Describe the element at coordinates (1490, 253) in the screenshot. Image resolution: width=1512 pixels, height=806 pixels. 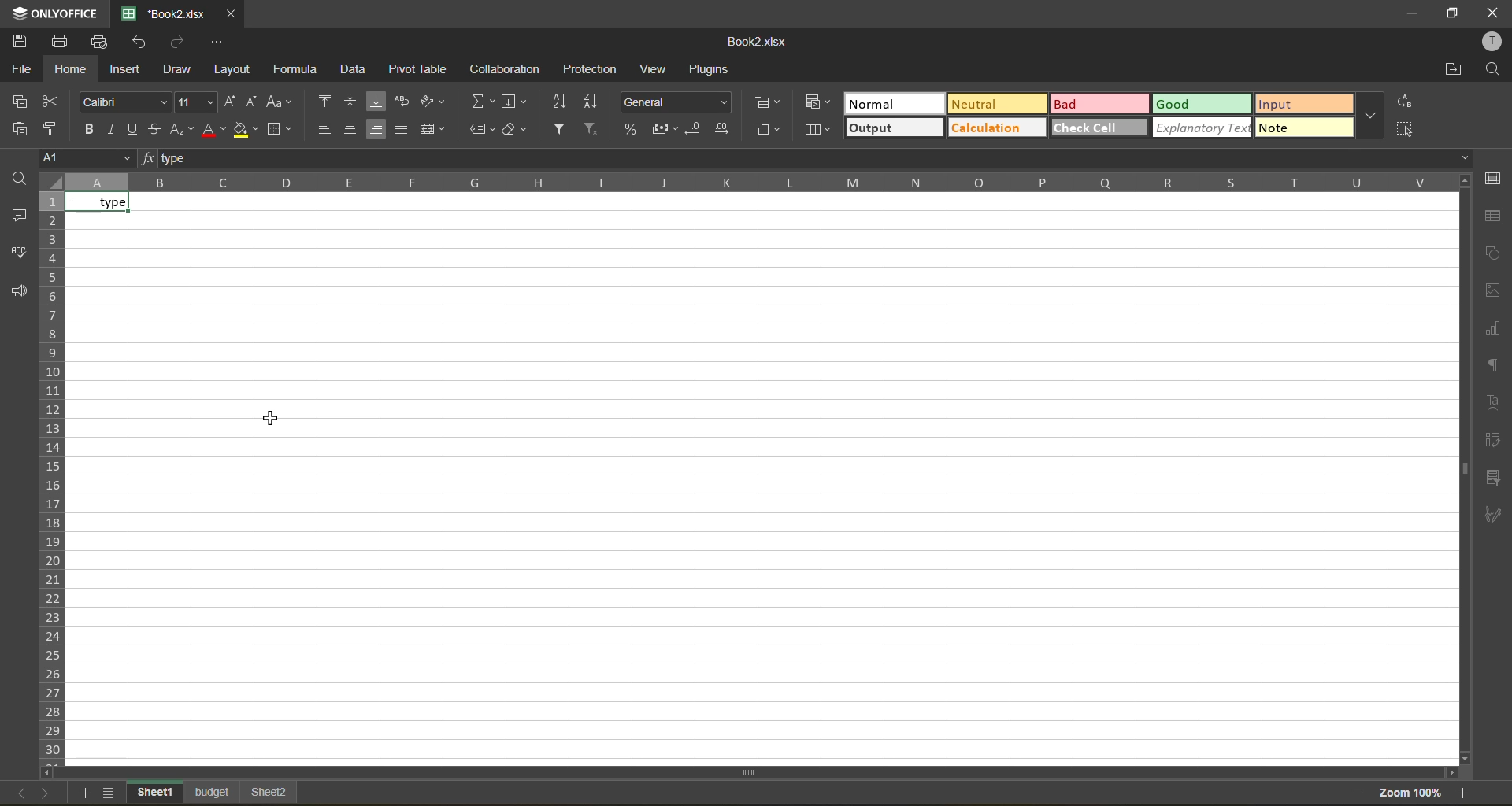
I see `shapes` at that location.